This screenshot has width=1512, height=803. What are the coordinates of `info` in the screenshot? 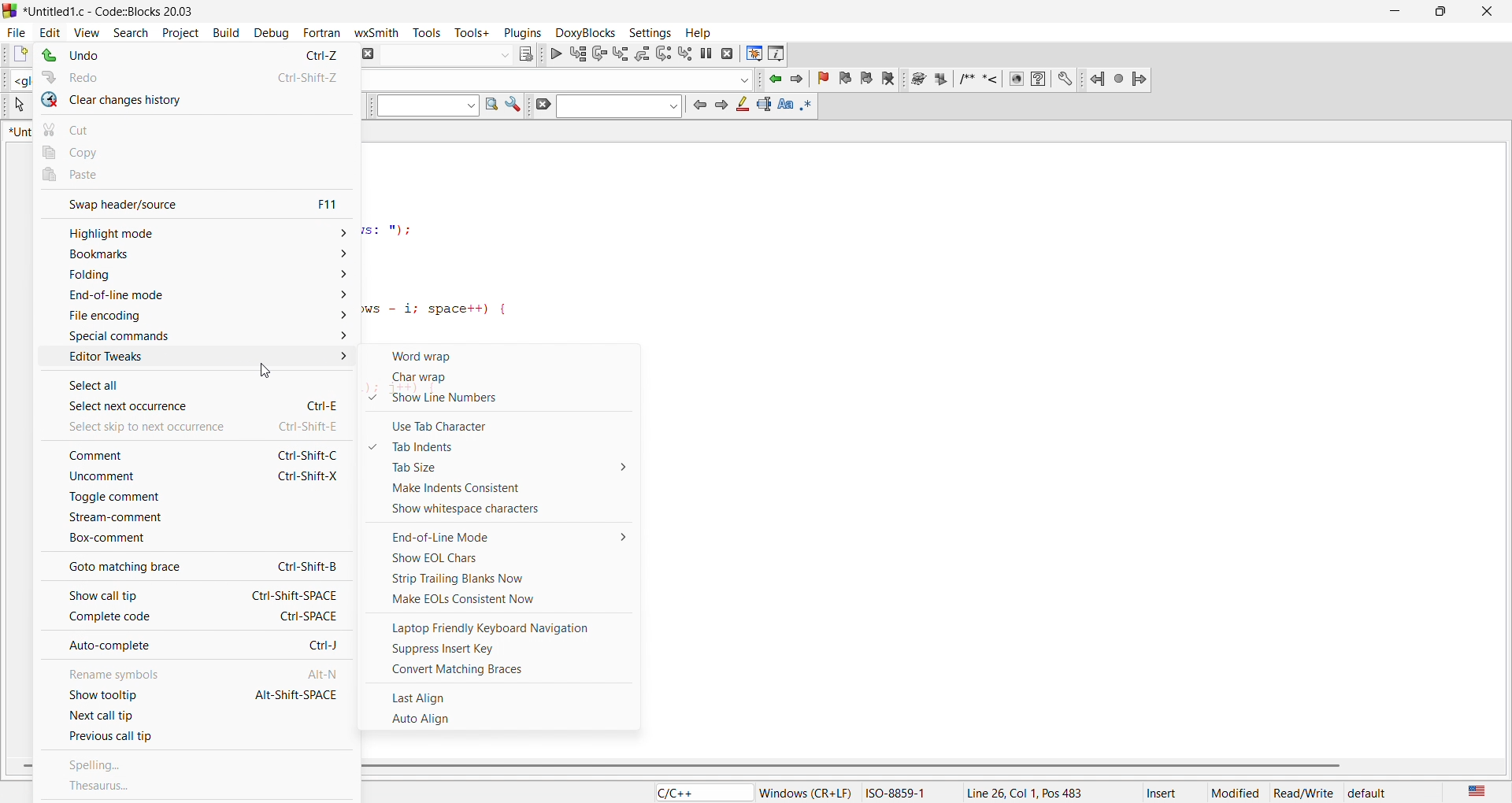 It's located at (774, 54).